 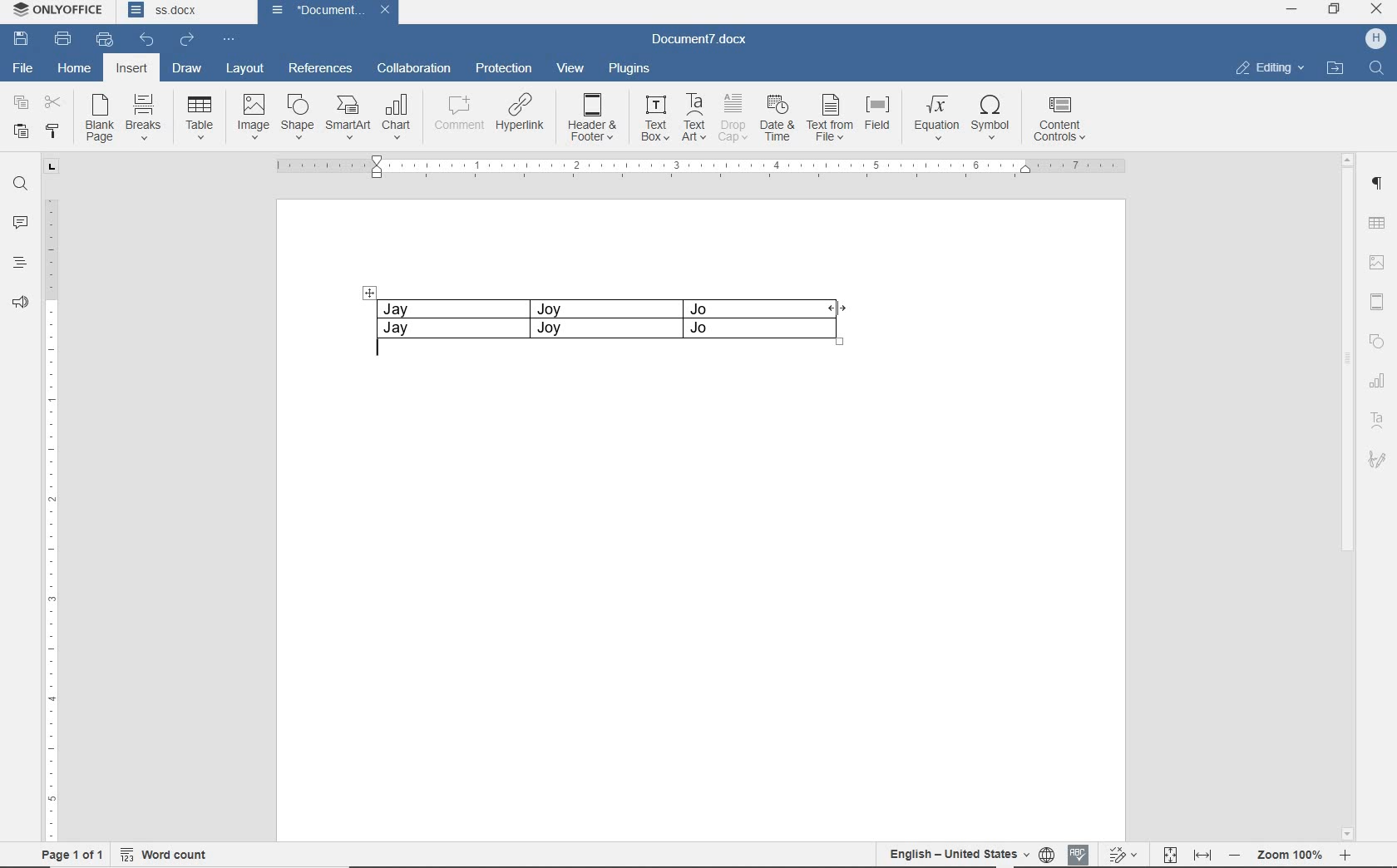 I want to click on HP, so click(x=1375, y=37).